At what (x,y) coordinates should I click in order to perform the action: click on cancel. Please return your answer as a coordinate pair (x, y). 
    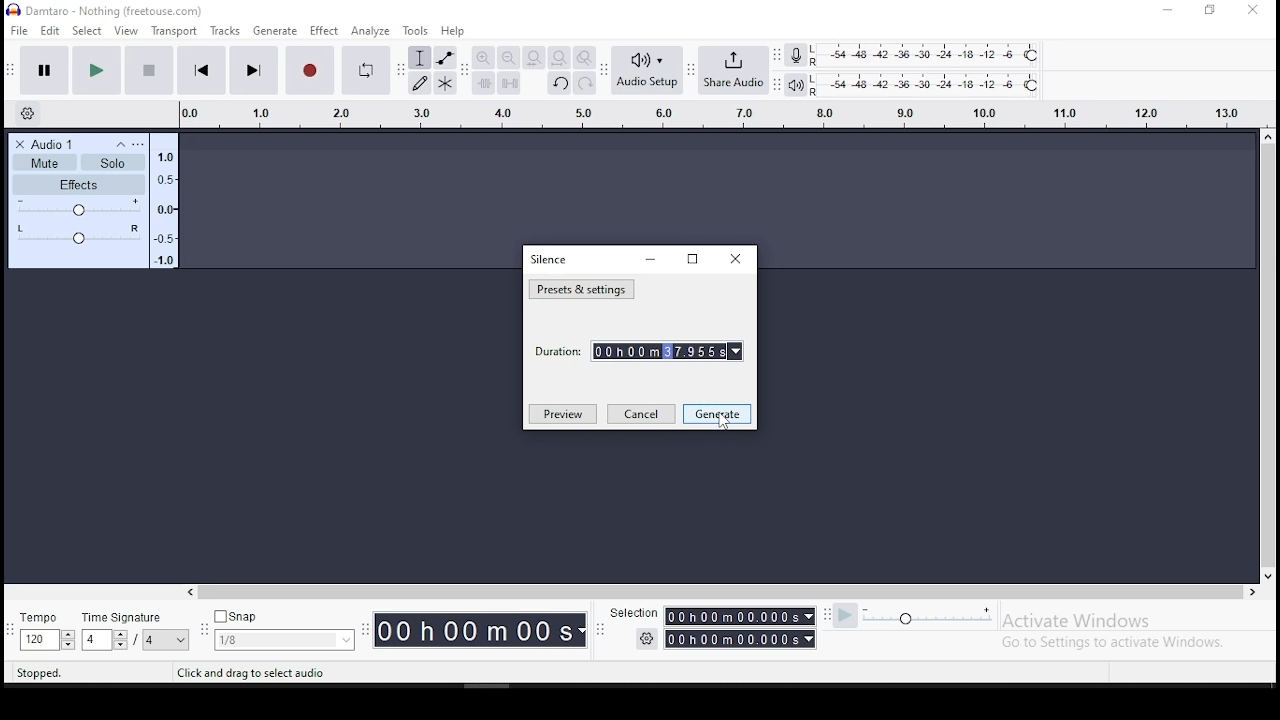
    Looking at the image, I should click on (641, 415).